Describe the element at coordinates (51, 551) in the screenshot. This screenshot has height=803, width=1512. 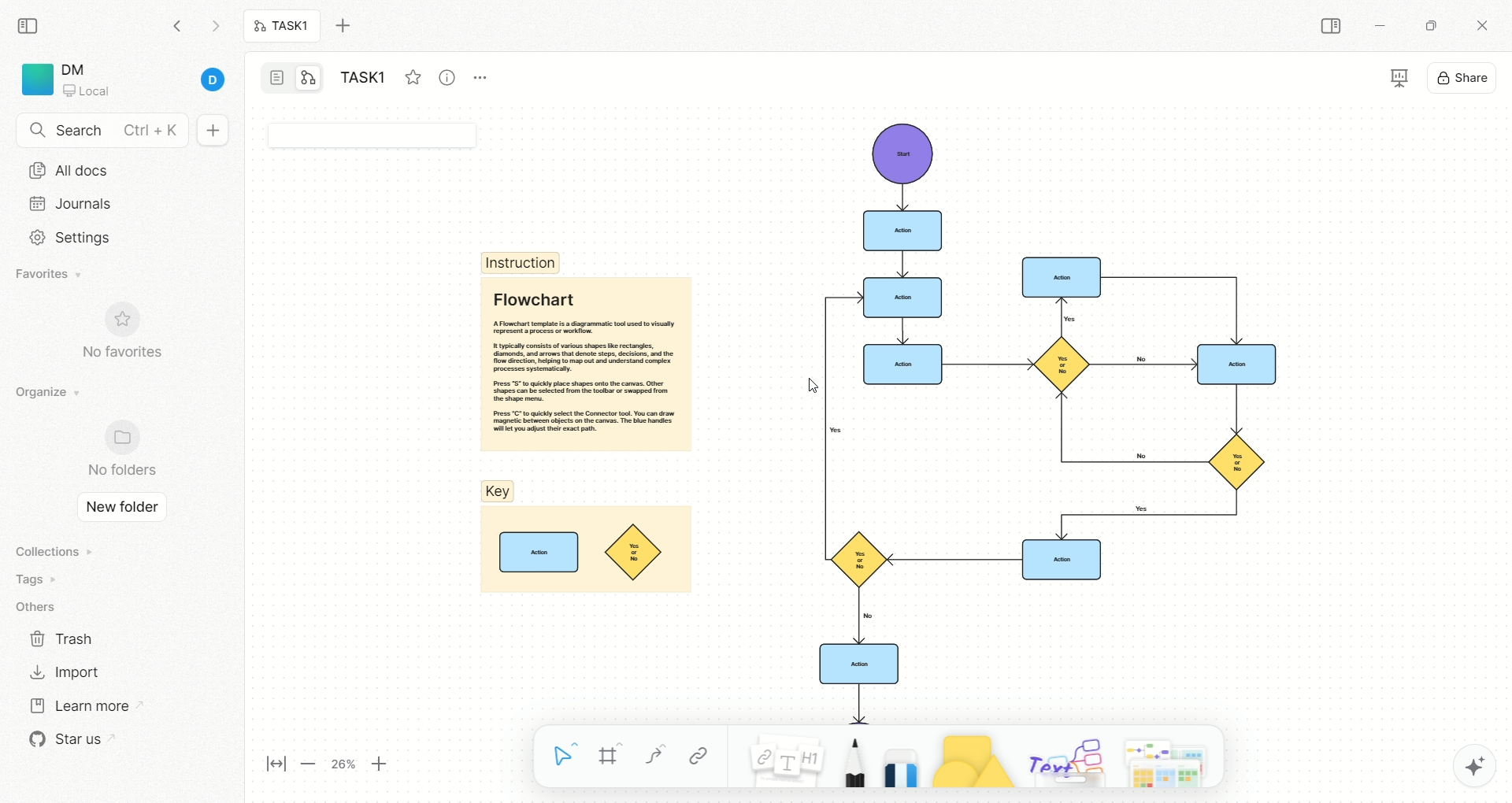
I see `collections` at that location.